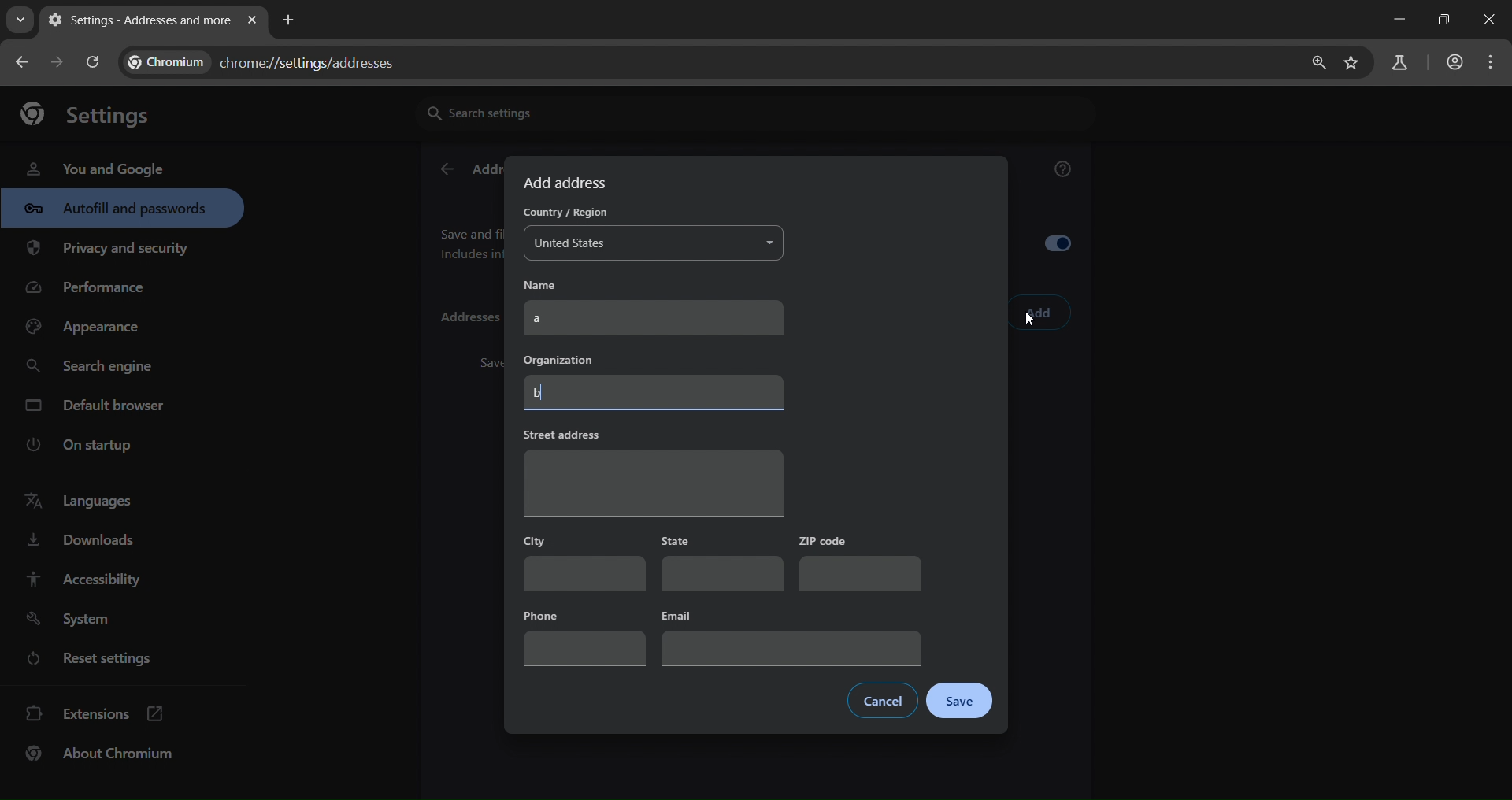  I want to click on zip code, so click(859, 563).